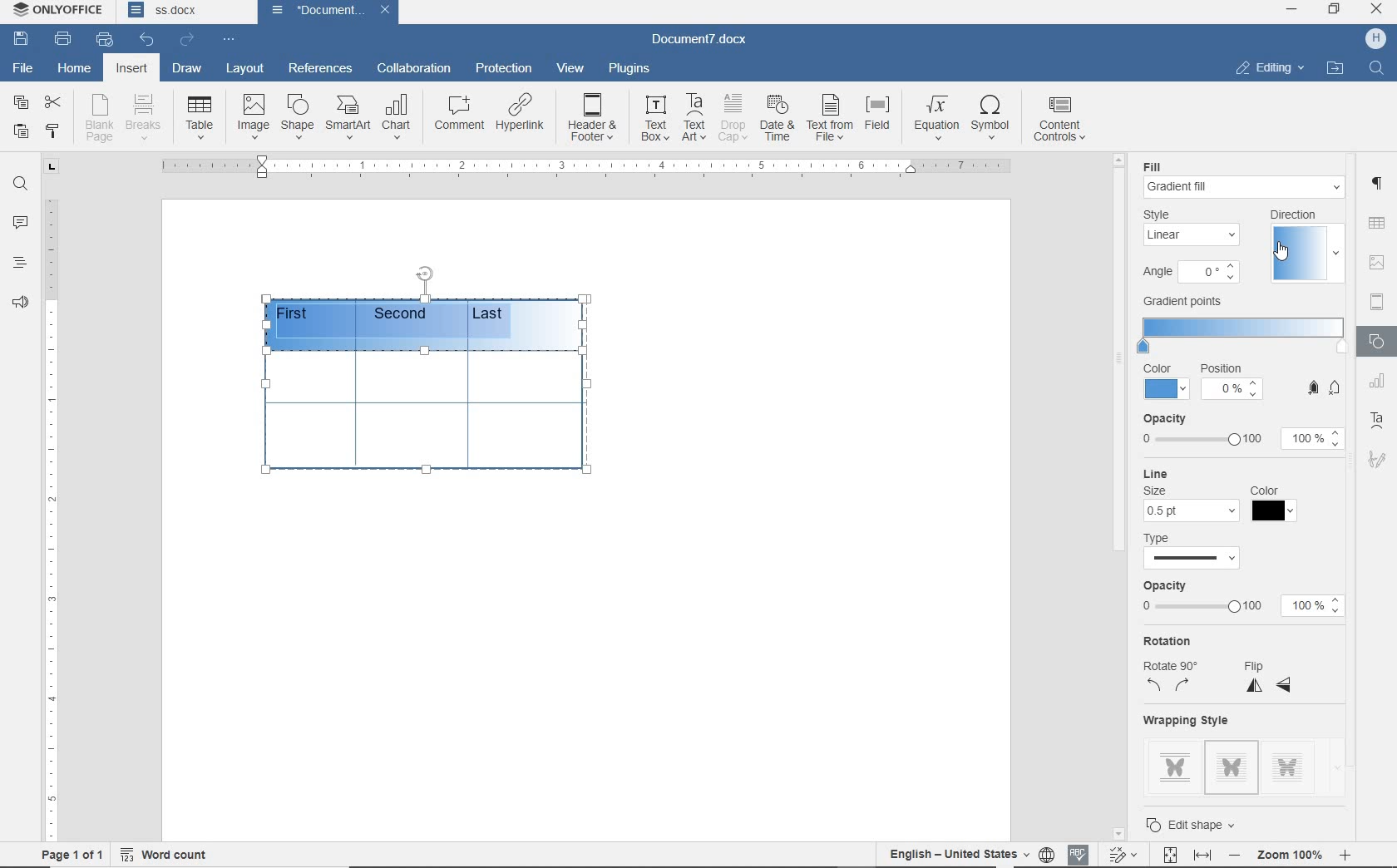  I want to click on page 1 of 1, so click(69, 852).